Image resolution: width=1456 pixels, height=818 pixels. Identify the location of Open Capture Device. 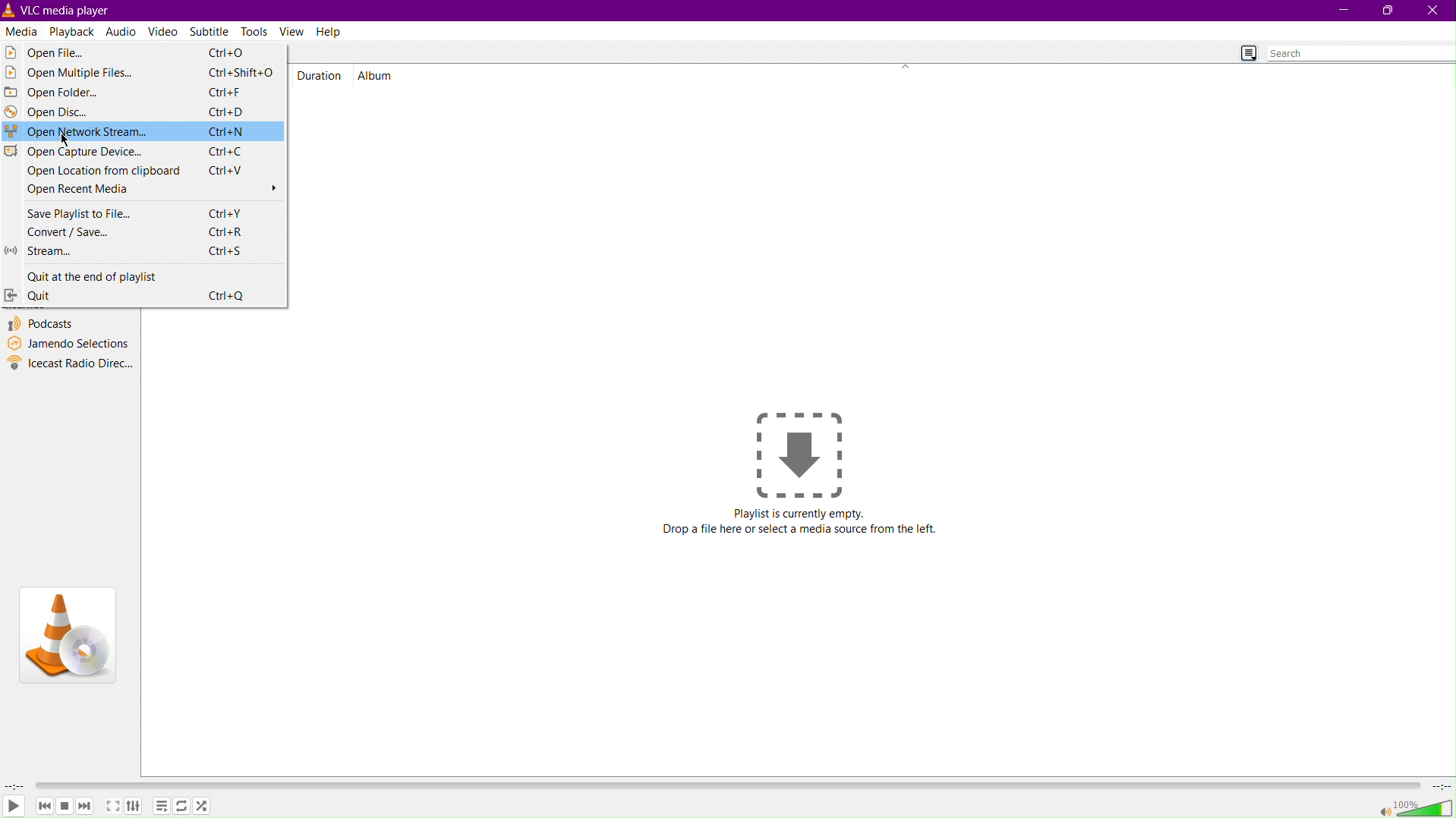
(73, 153).